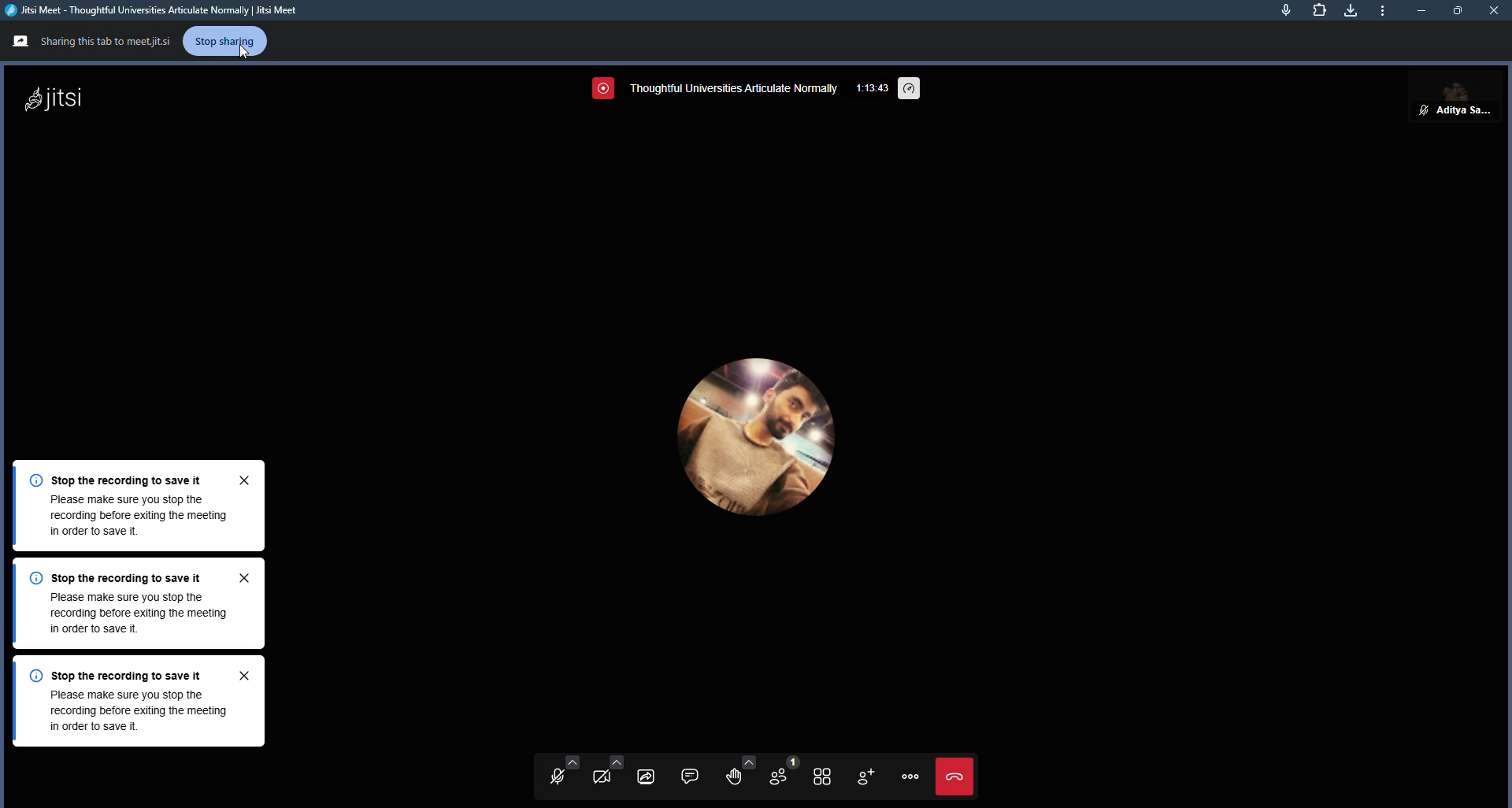 The image size is (1512, 808). Describe the element at coordinates (819, 774) in the screenshot. I see `toggle tile view` at that location.